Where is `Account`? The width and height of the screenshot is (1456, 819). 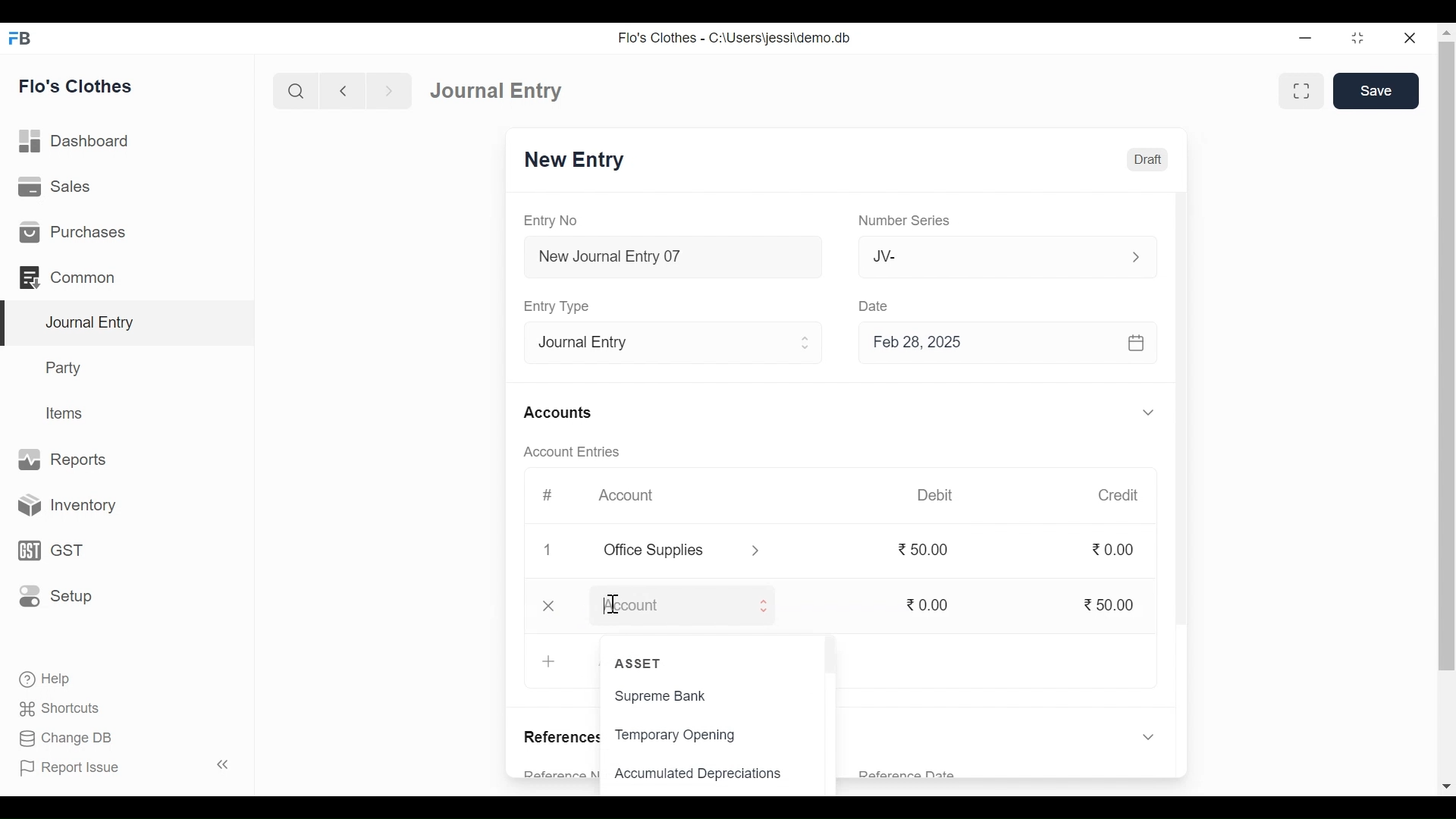
Account is located at coordinates (667, 605).